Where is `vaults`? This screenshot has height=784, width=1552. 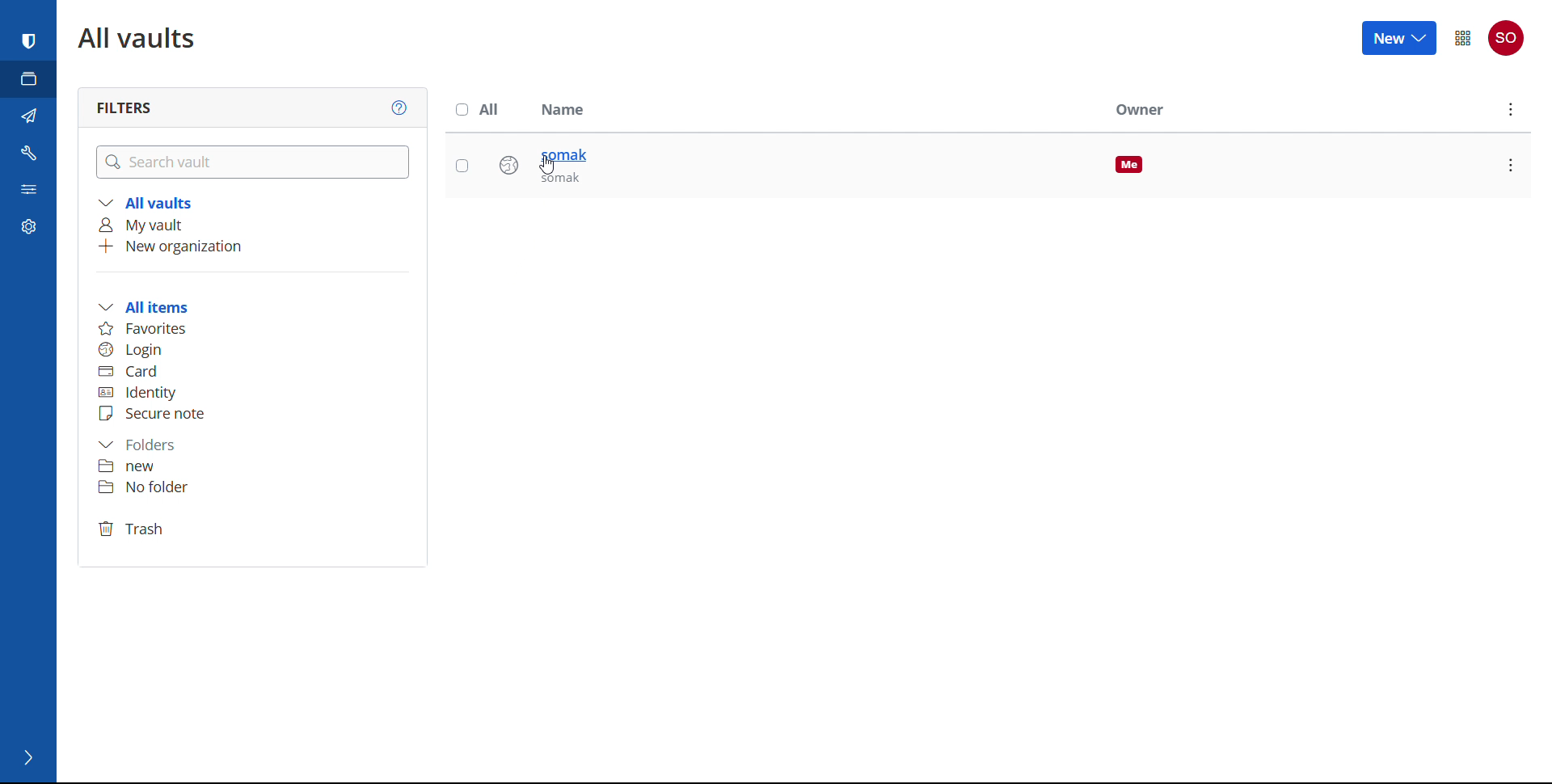 vaults is located at coordinates (28, 79).